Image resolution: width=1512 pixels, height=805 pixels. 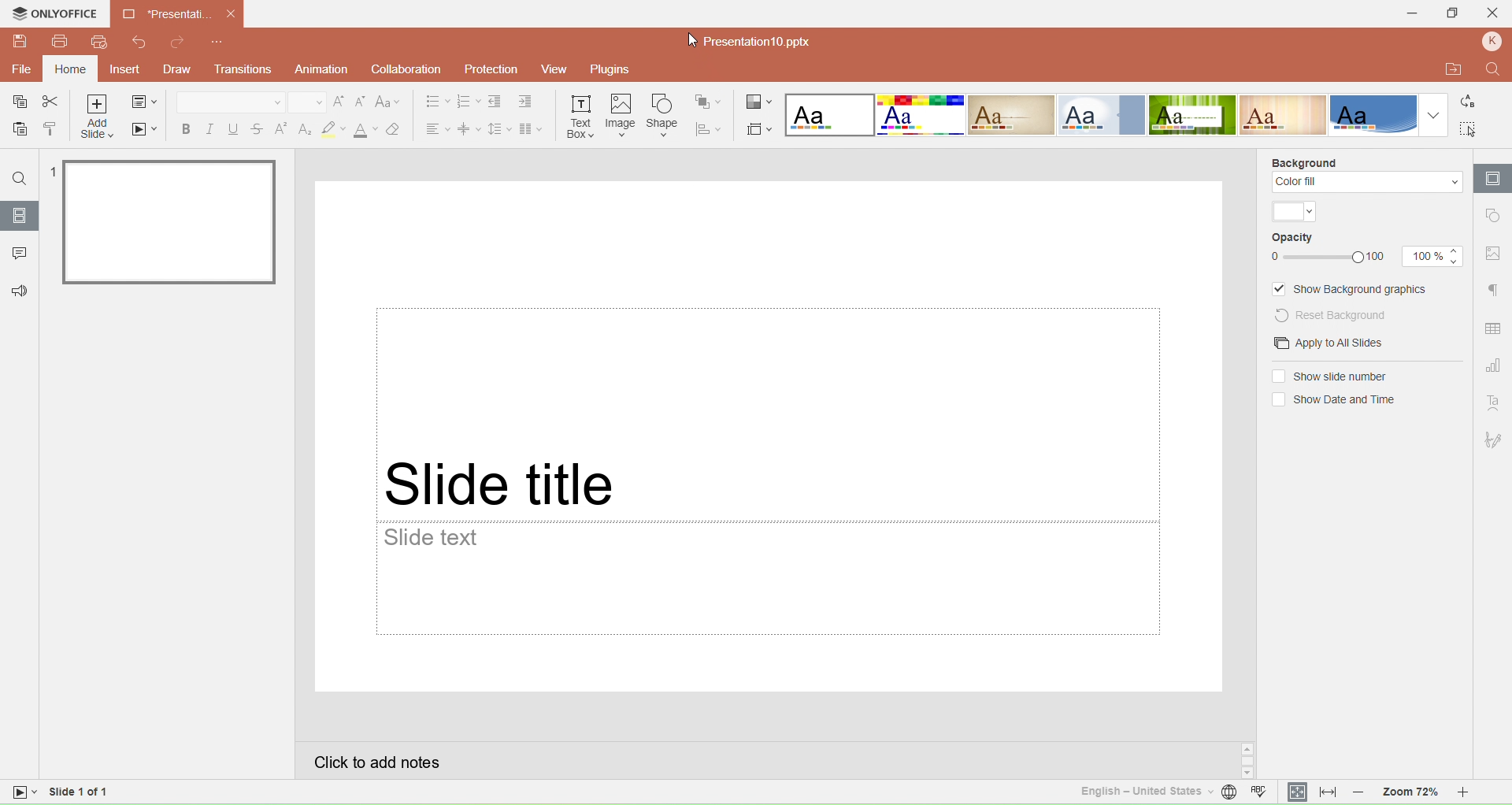 What do you see at coordinates (435, 128) in the screenshot?
I see `Horizontal align` at bounding box center [435, 128].